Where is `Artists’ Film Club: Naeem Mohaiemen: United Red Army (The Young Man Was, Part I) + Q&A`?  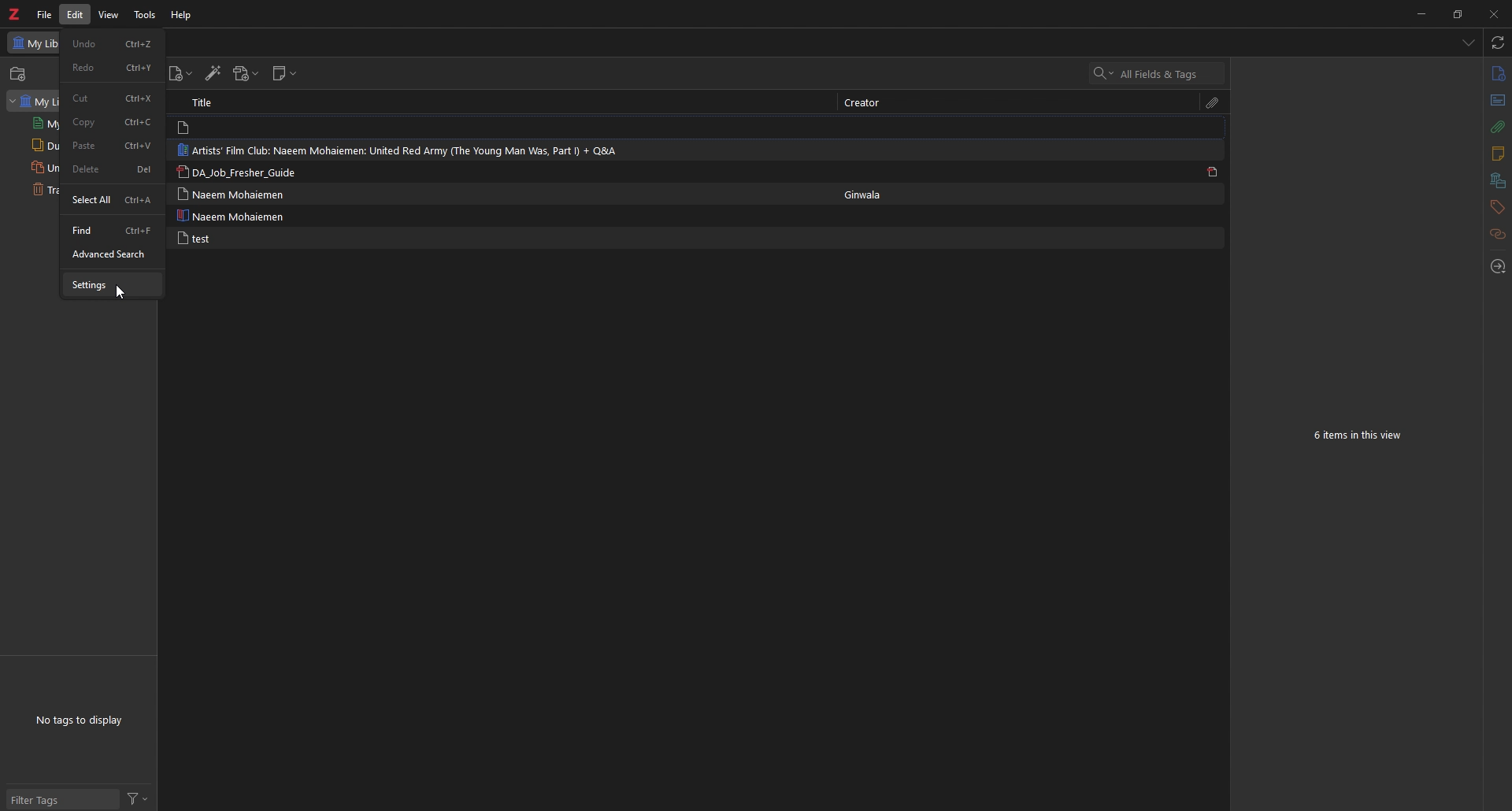
Artists’ Film Club: Naeem Mohaiemen: United Red Army (The Young Man Was, Part I) + Q&A is located at coordinates (406, 150).